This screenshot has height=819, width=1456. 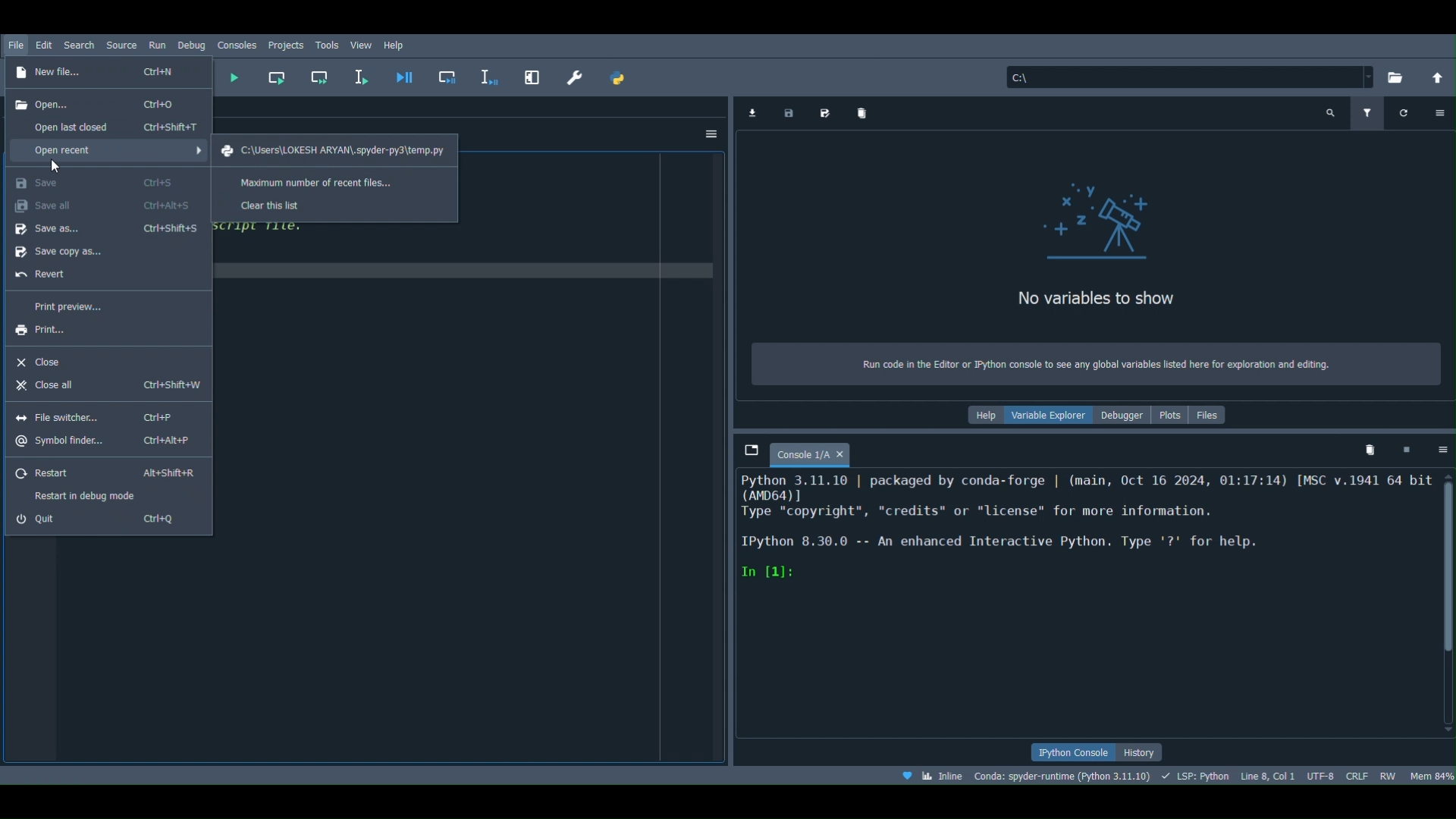 I want to click on Run current cell and go to the next one (Shift + Return), so click(x=319, y=80).